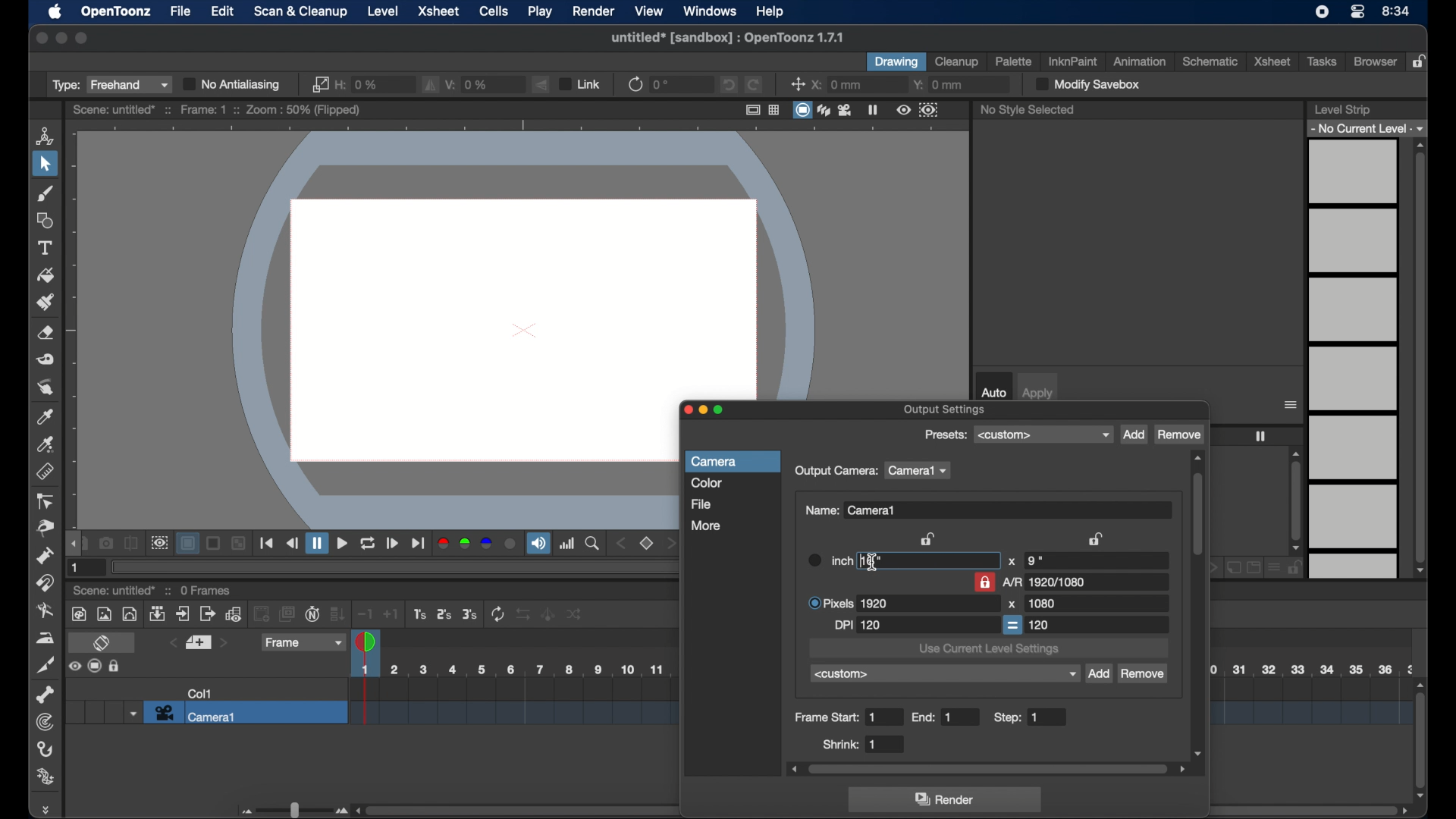 The image size is (1456, 819). I want to click on 0, so click(663, 84).